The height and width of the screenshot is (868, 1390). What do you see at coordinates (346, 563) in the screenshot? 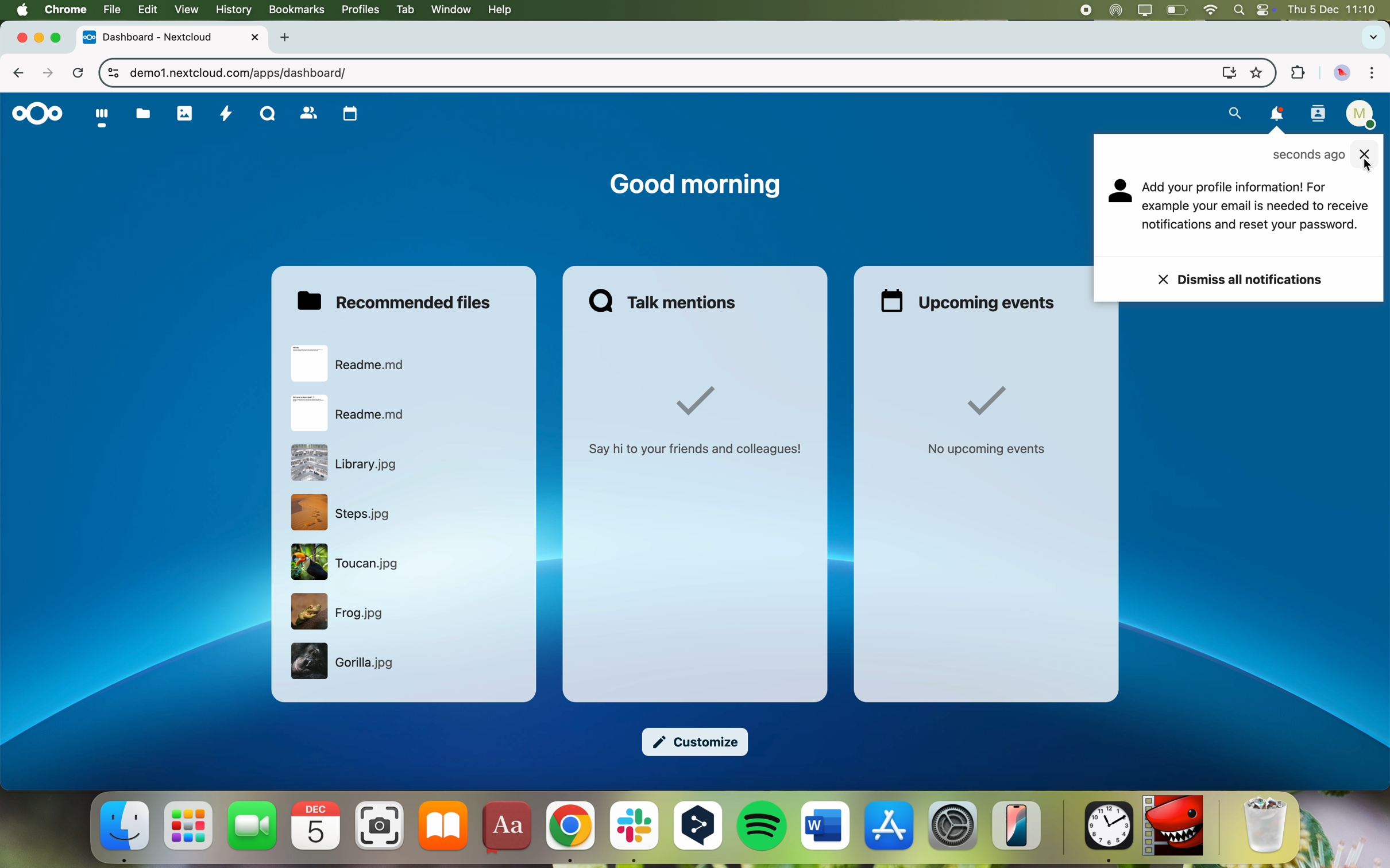
I see `file` at bounding box center [346, 563].